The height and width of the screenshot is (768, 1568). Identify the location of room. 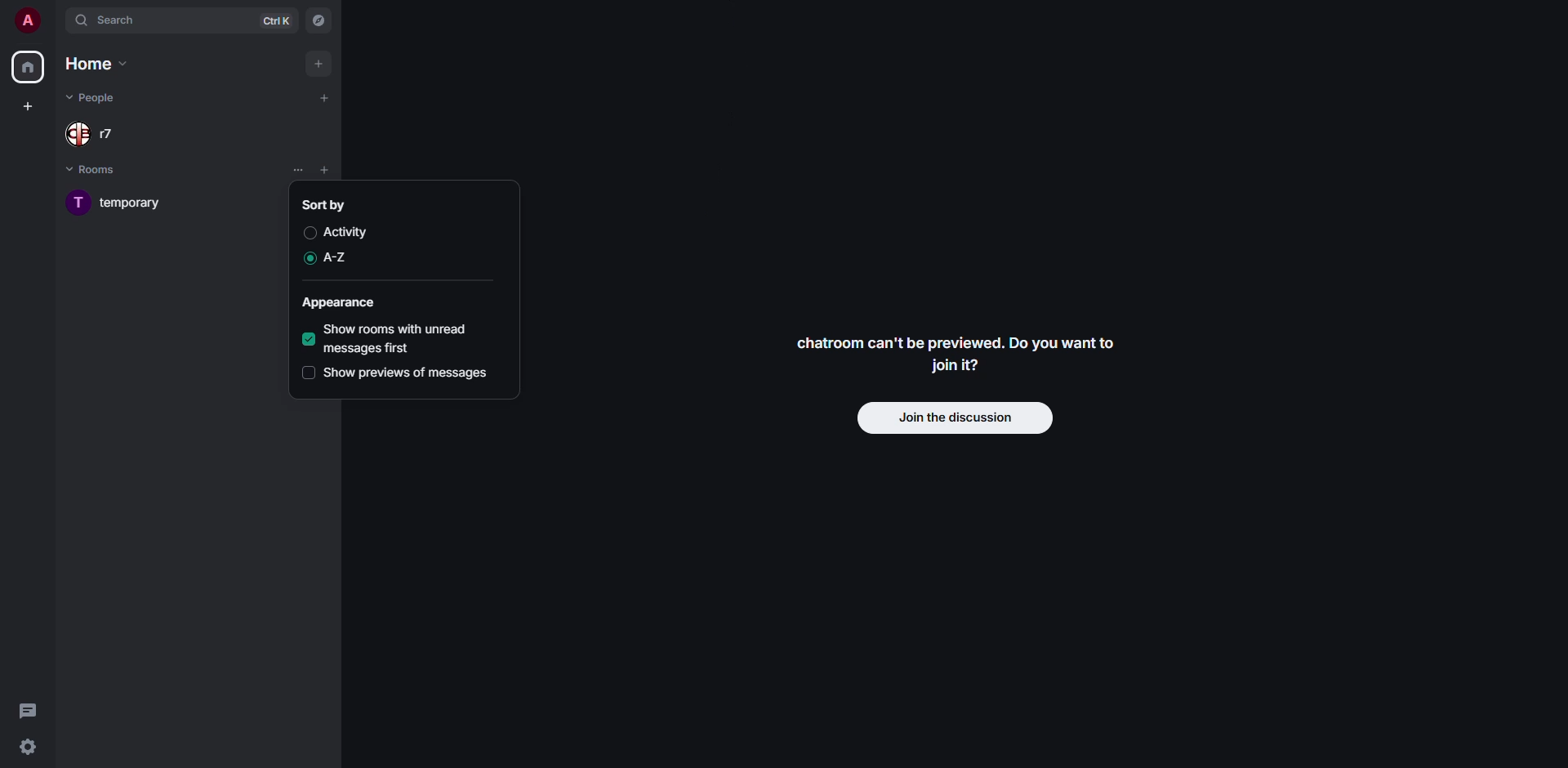
(122, 203).